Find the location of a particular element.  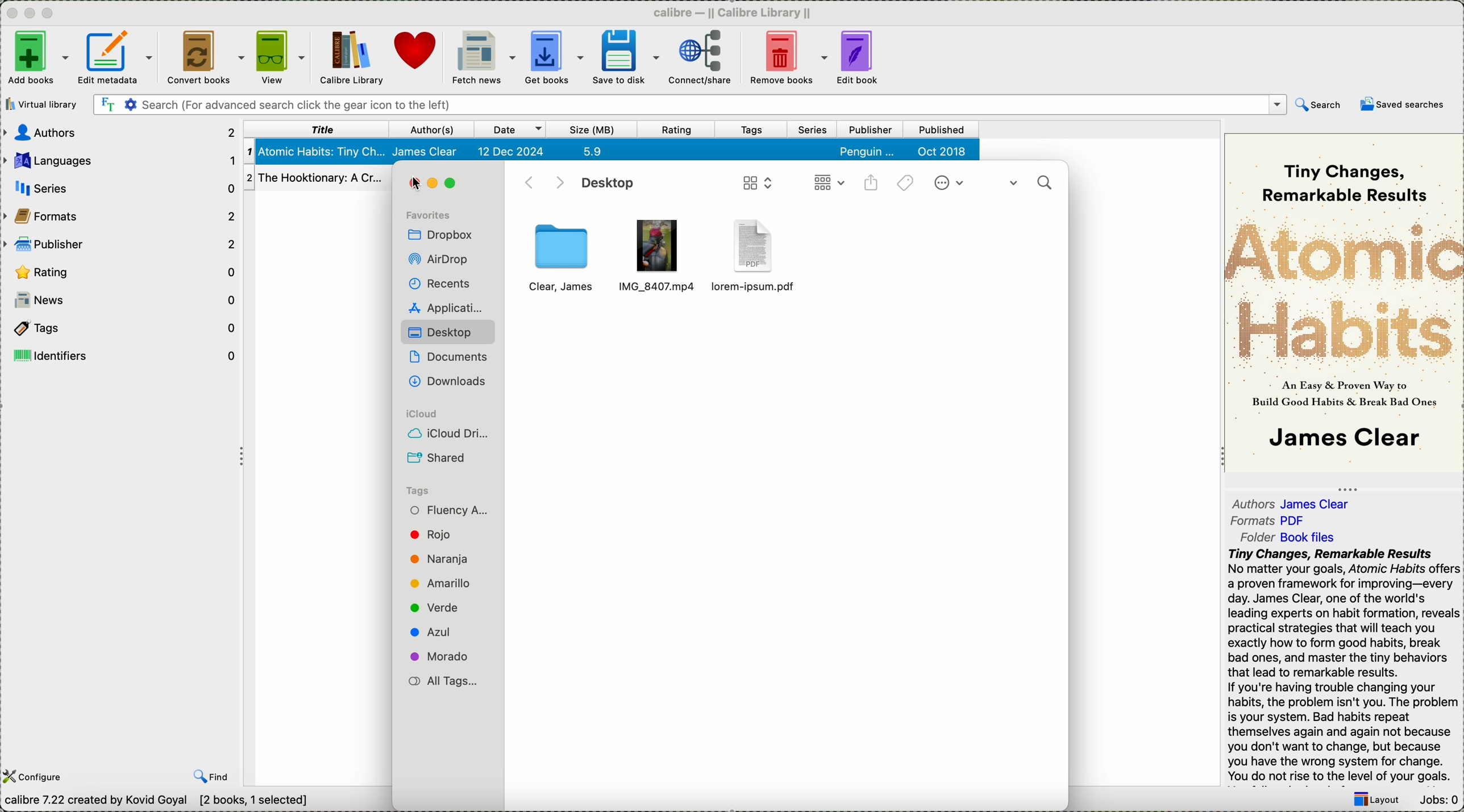

search is located at coordinates (1029, 180).